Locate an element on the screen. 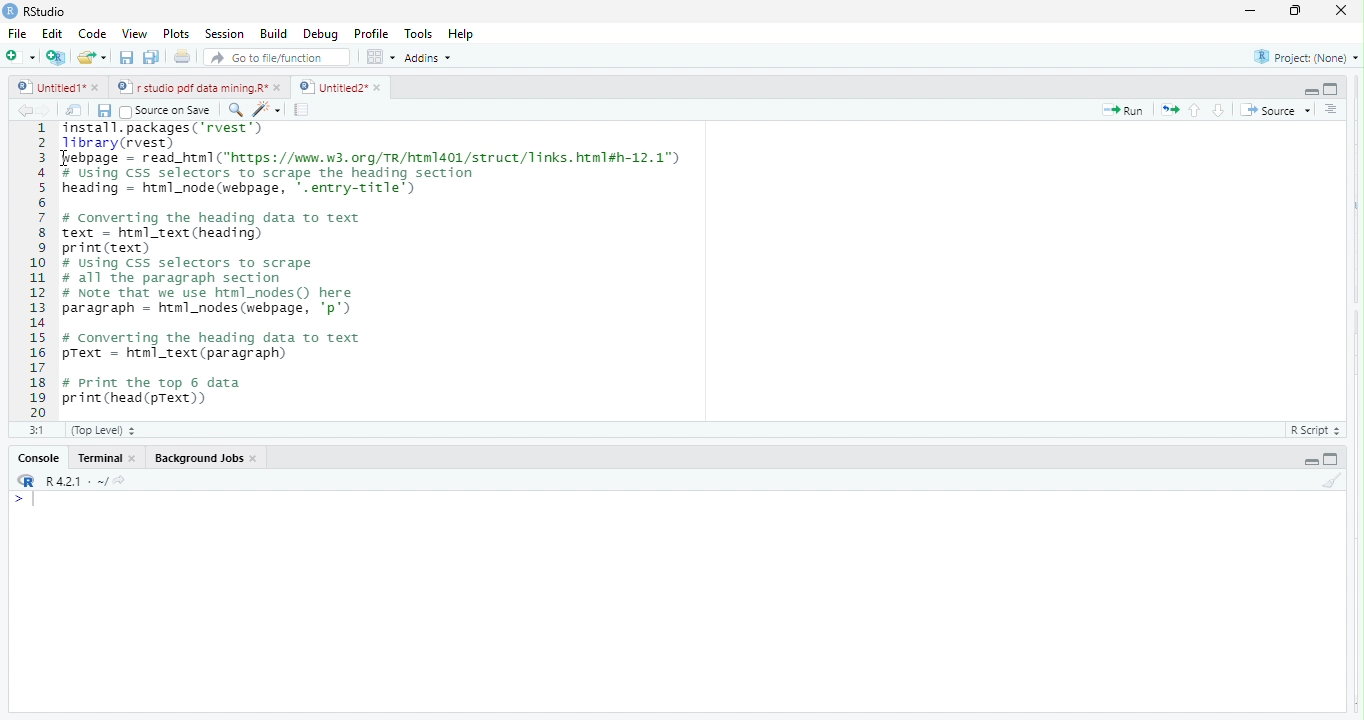 The image size is (1364, 720). go to next section/chunk is located at coordinates (1220, 110).